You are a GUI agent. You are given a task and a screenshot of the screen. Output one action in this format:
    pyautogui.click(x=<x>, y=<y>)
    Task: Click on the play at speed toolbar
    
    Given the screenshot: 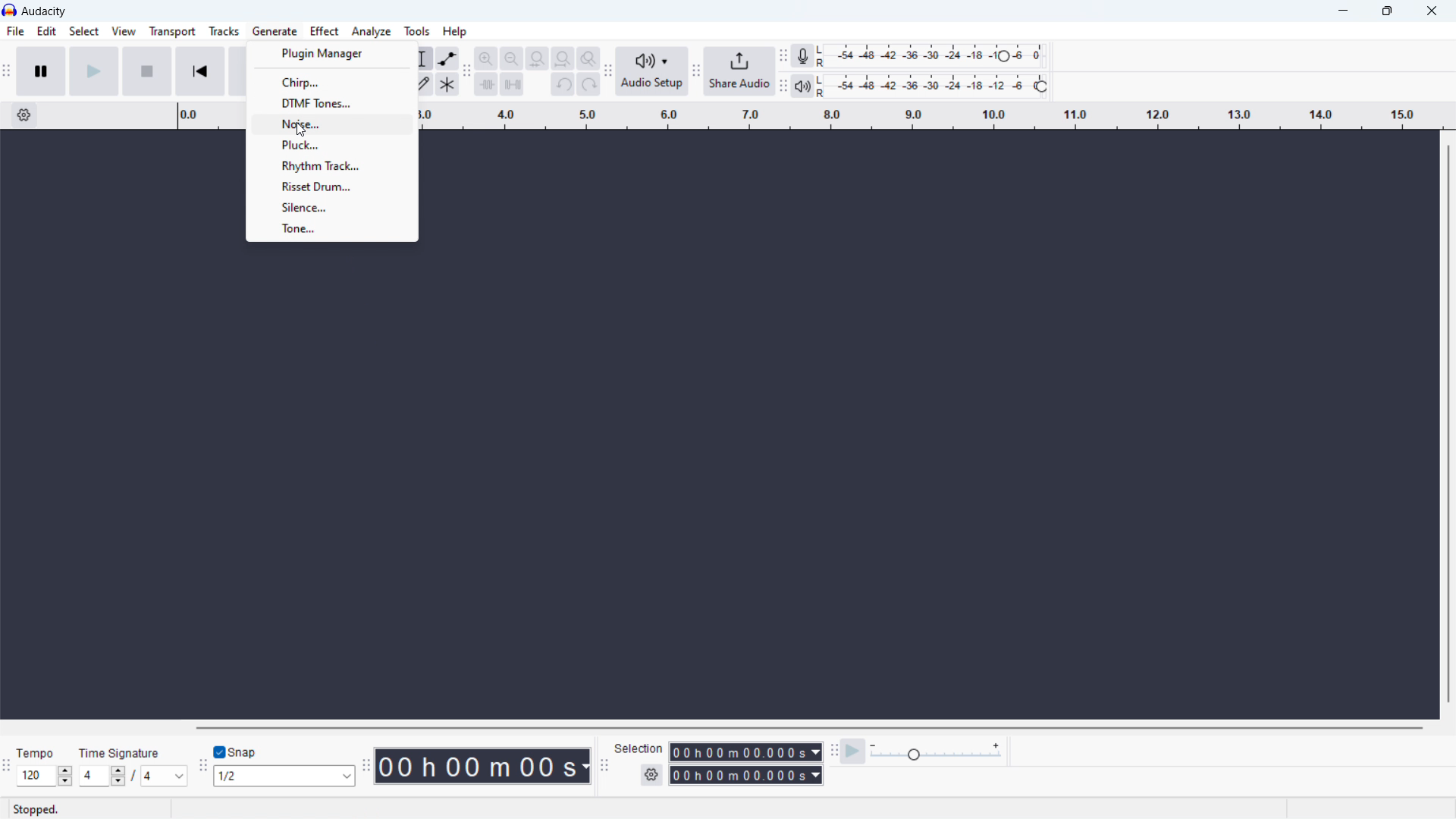 What is the action you would take?
    pyautogui.click(x=834, y=750)
    